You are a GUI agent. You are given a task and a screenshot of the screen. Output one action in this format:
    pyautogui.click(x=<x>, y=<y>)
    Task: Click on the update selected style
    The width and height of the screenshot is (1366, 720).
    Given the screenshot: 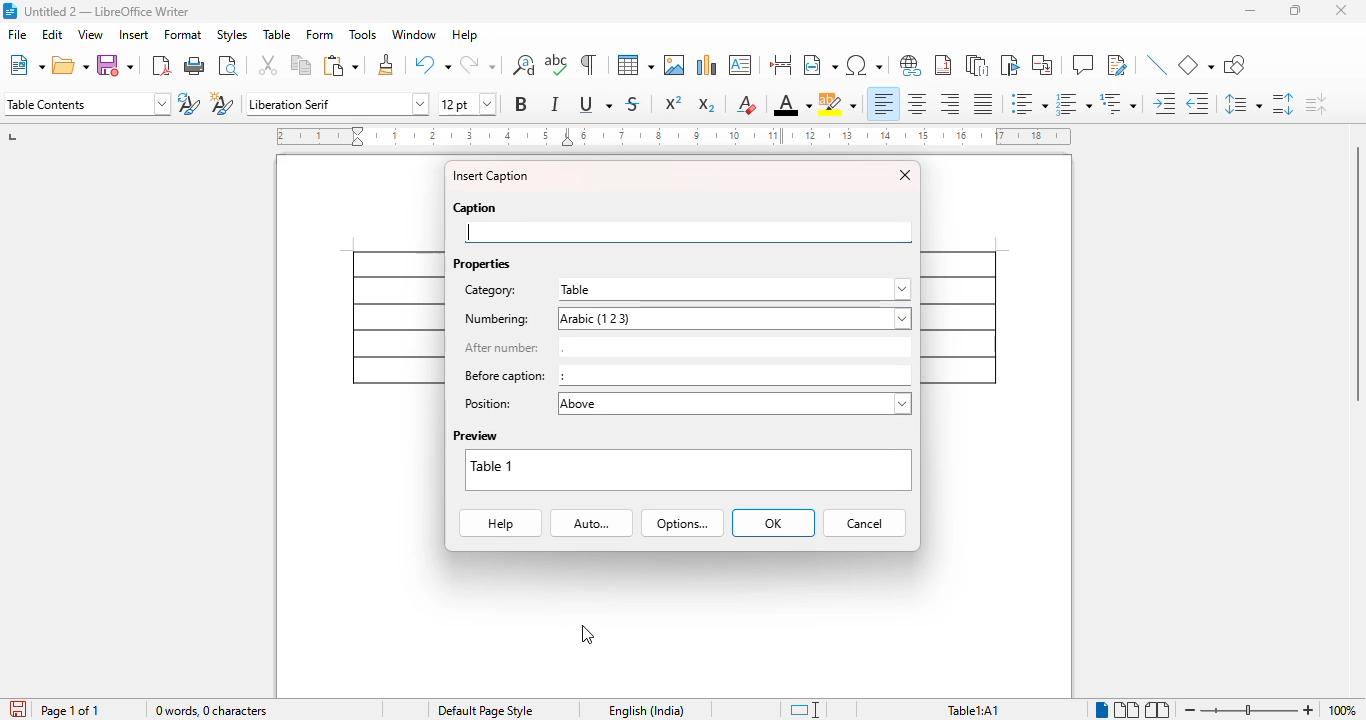 What is the action you would take?
    pyautogui.click(x=188, y=103)
    